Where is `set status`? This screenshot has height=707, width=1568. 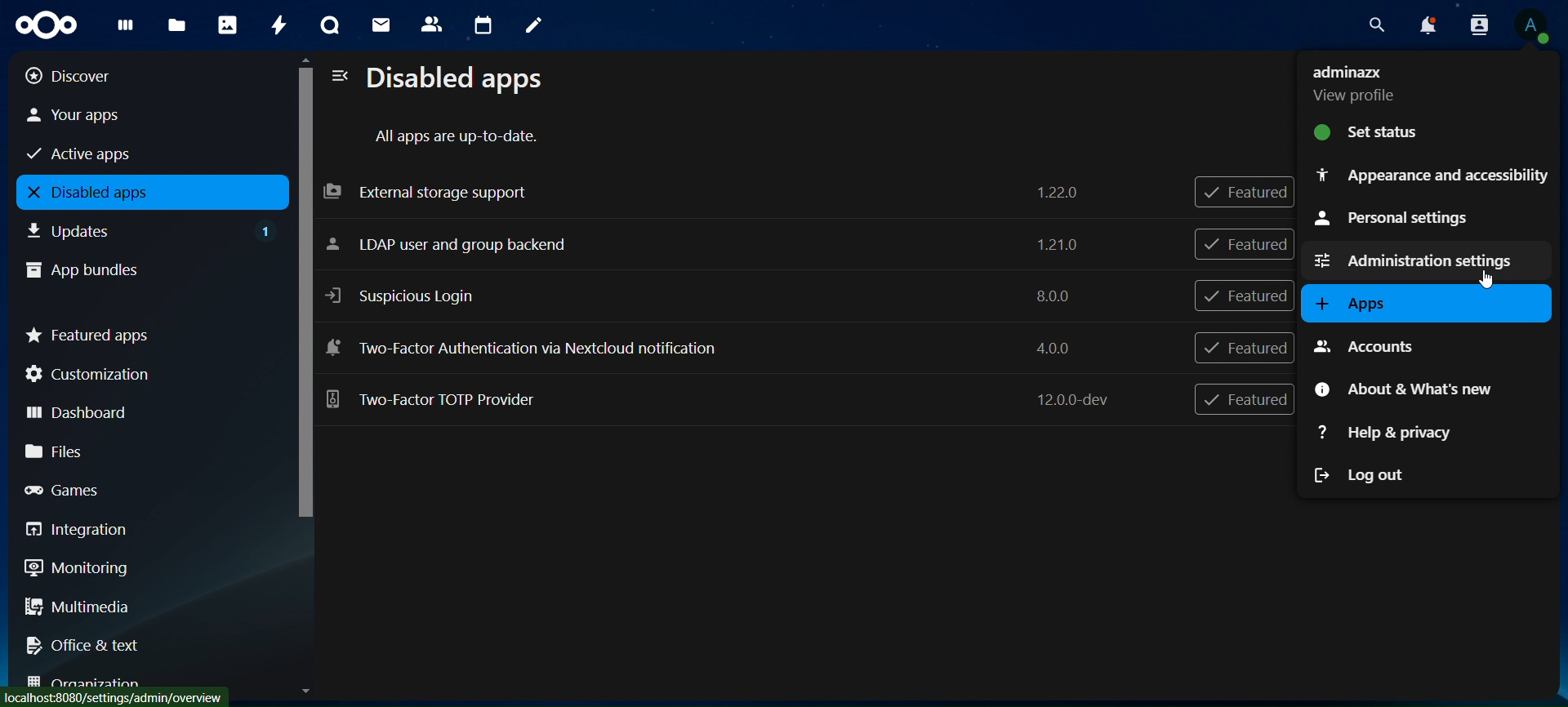
set status is located at coordinates (1401, 131).